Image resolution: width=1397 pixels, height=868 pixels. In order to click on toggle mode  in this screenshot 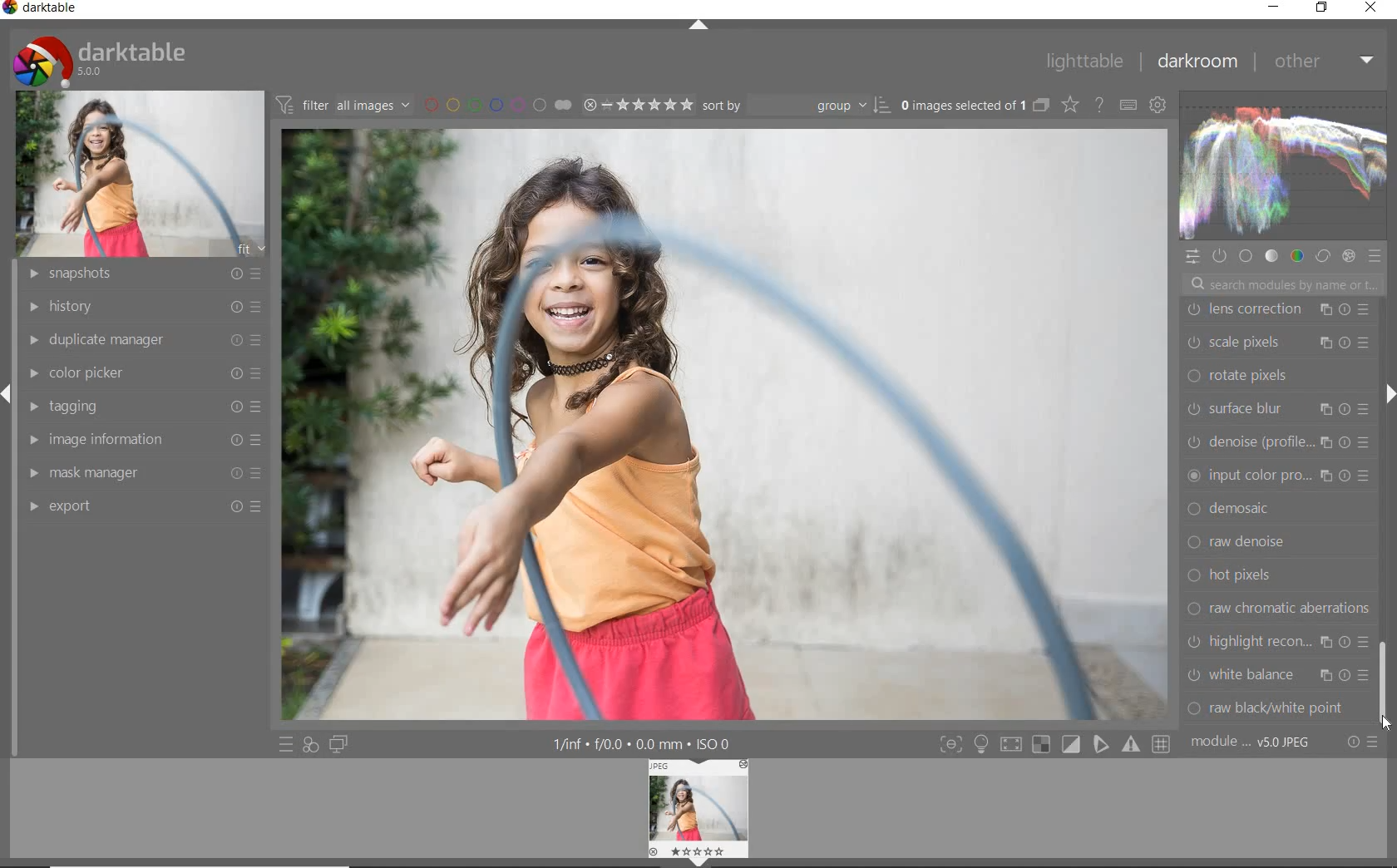, I will do `click(1163, 744)`.